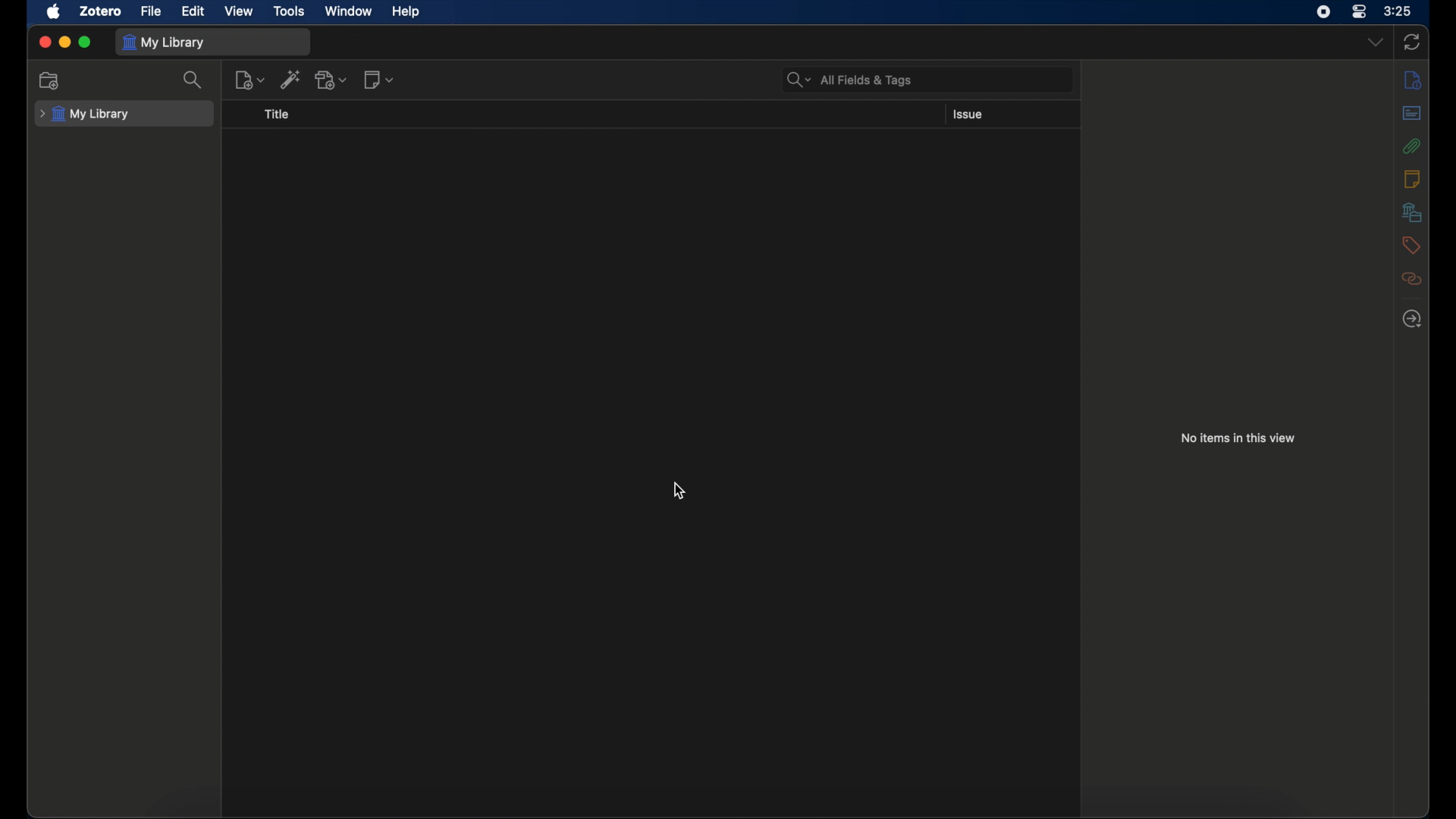 The height and width of the screenshot is (819, 1456). I want to click on new note, so click(379, 80).